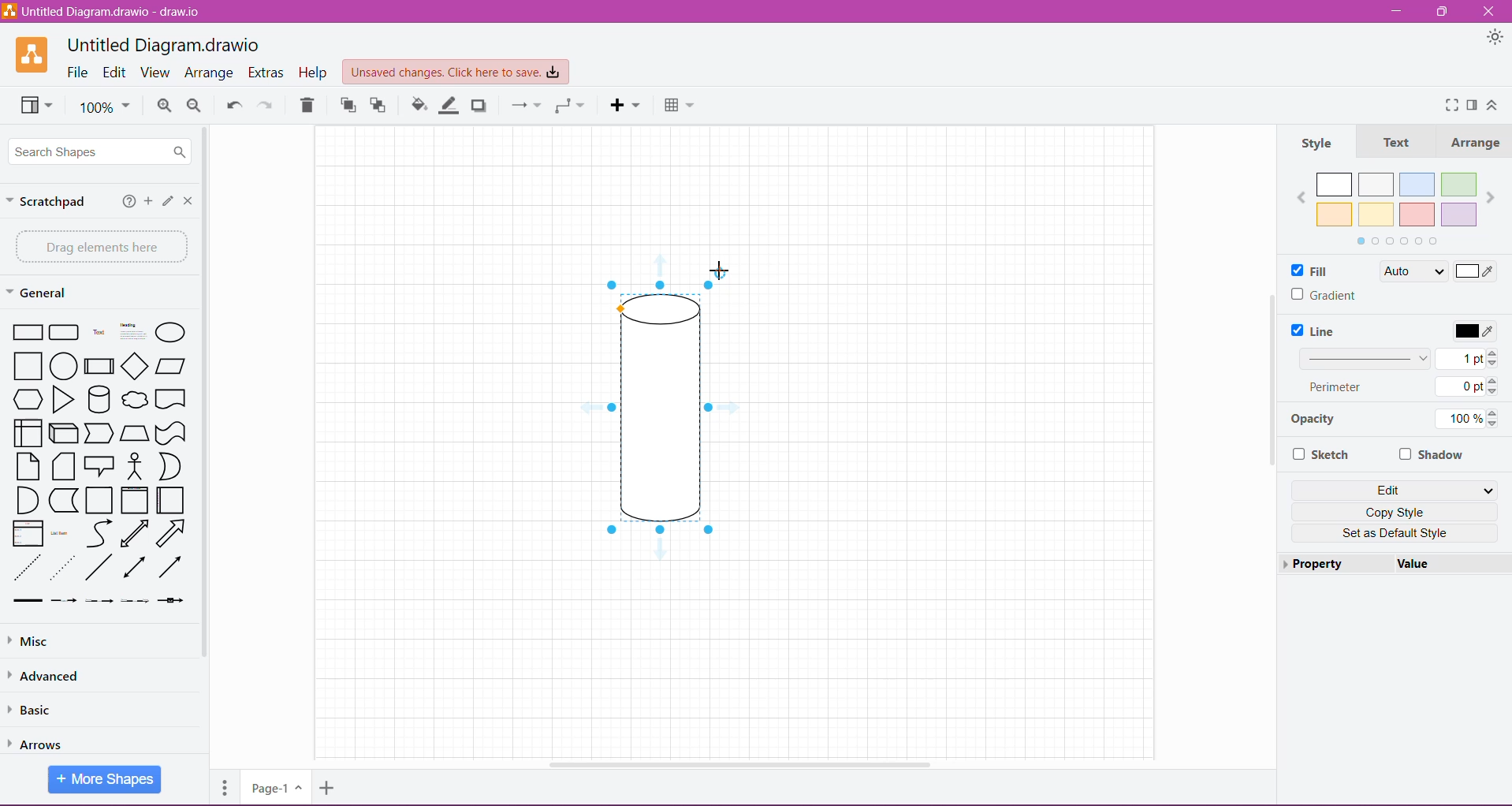  Describe the element at coordinates (50, 203) in the screenshot. I see `Scratchpad` at that location.